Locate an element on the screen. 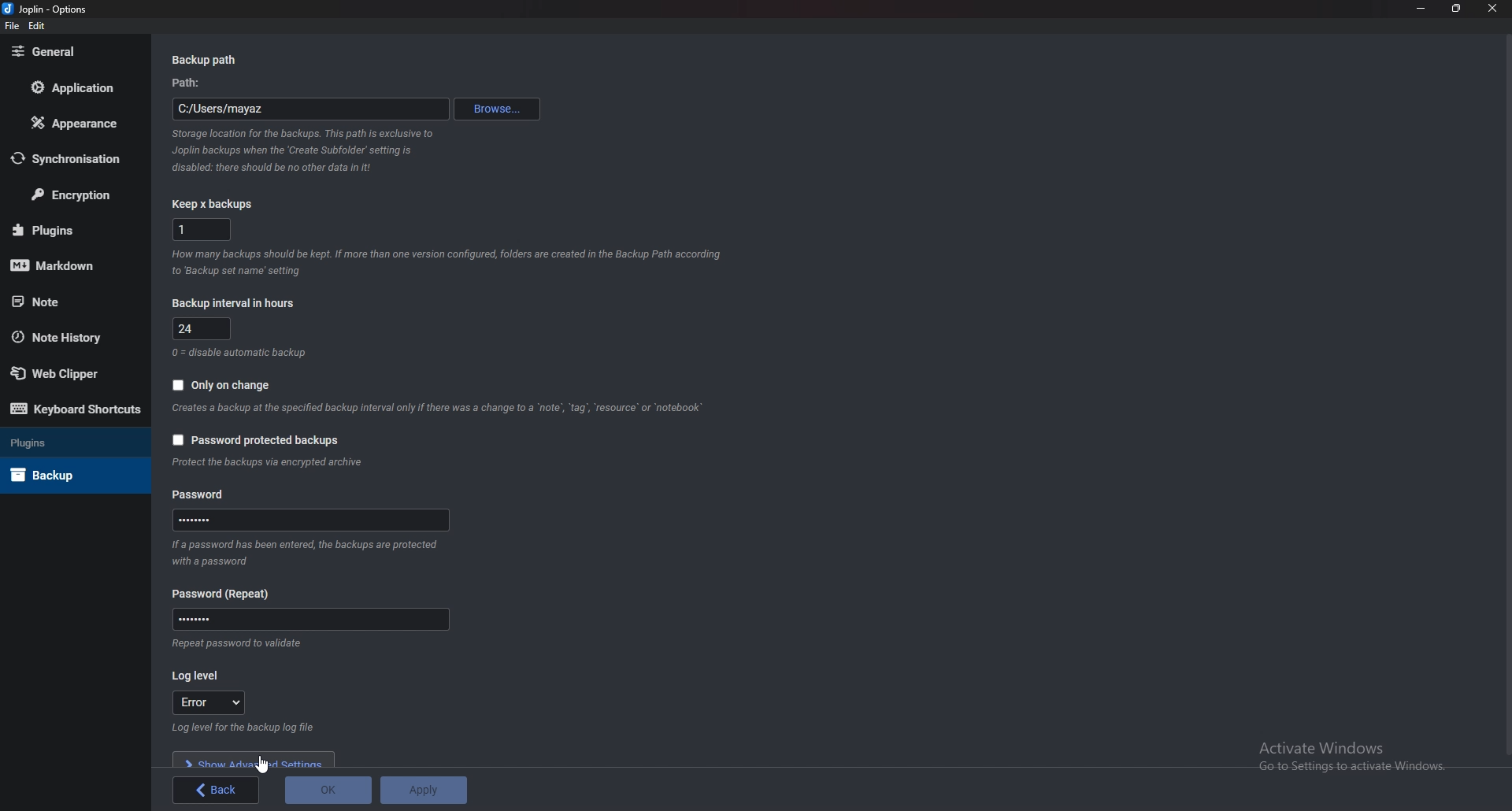 Image resolution: width=1512 pixels, height=811 pixels. Plugins is located at coordinates (61, 442).